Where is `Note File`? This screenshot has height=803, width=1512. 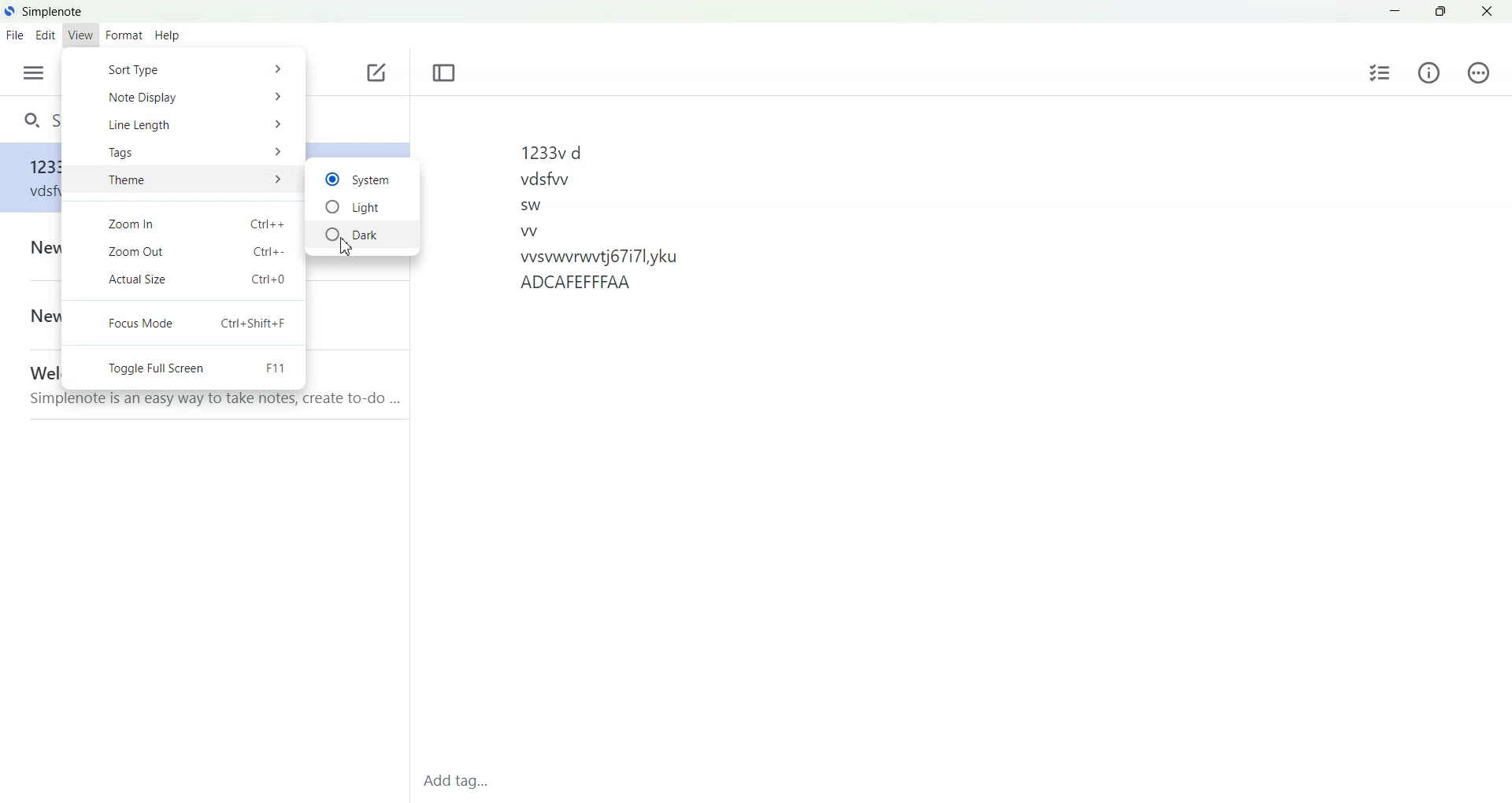
Note File is located at coordinates (34, 381).